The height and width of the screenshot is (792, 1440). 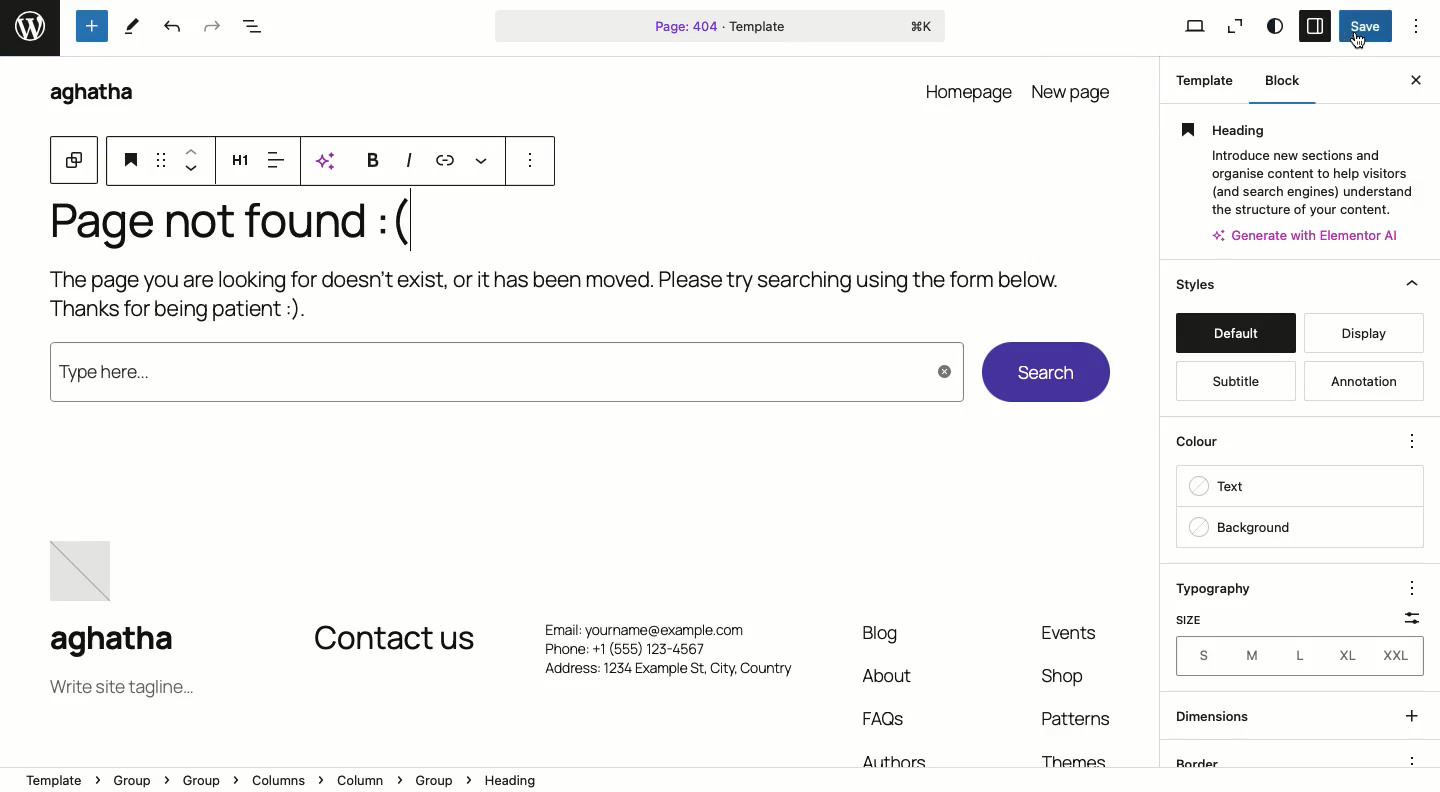 What do you see at coordinates (531, 161) in the screenshot?
I see `options` at bounding box center [531, 161].